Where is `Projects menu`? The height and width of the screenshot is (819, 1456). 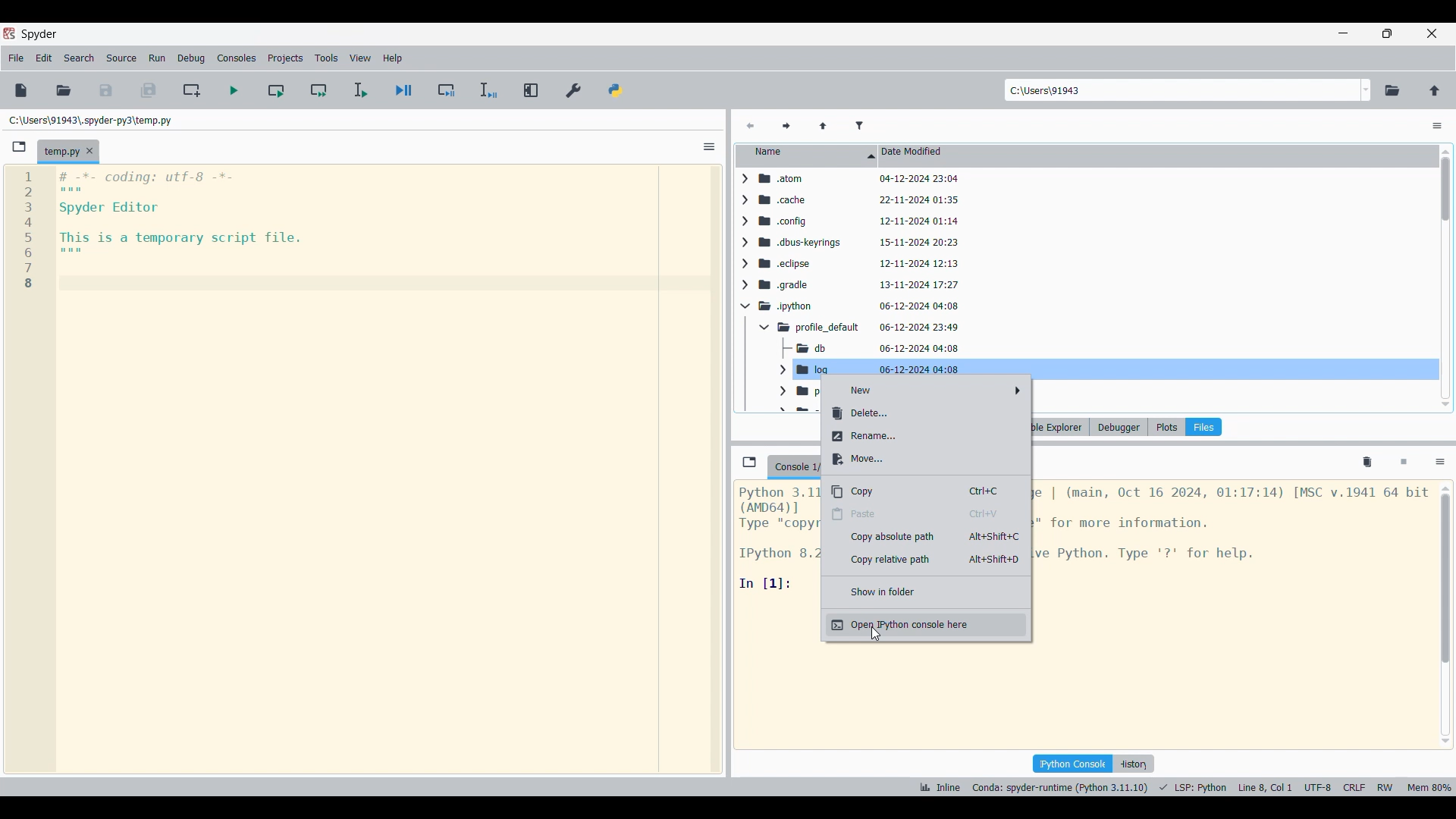 Projects menu is located at coordinates (285, 58).